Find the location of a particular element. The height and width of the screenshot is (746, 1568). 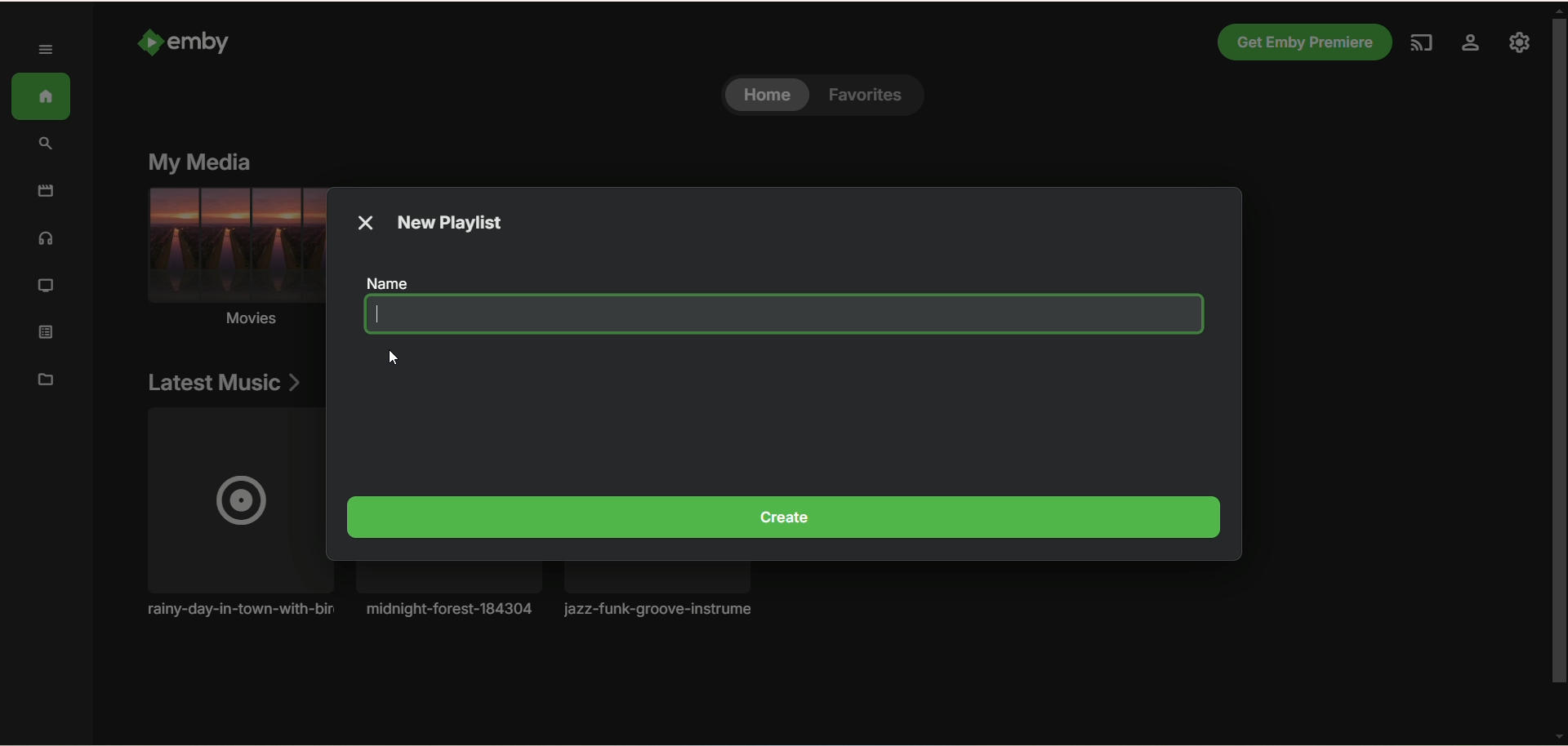

playlist is located at coordinates (51, 334).